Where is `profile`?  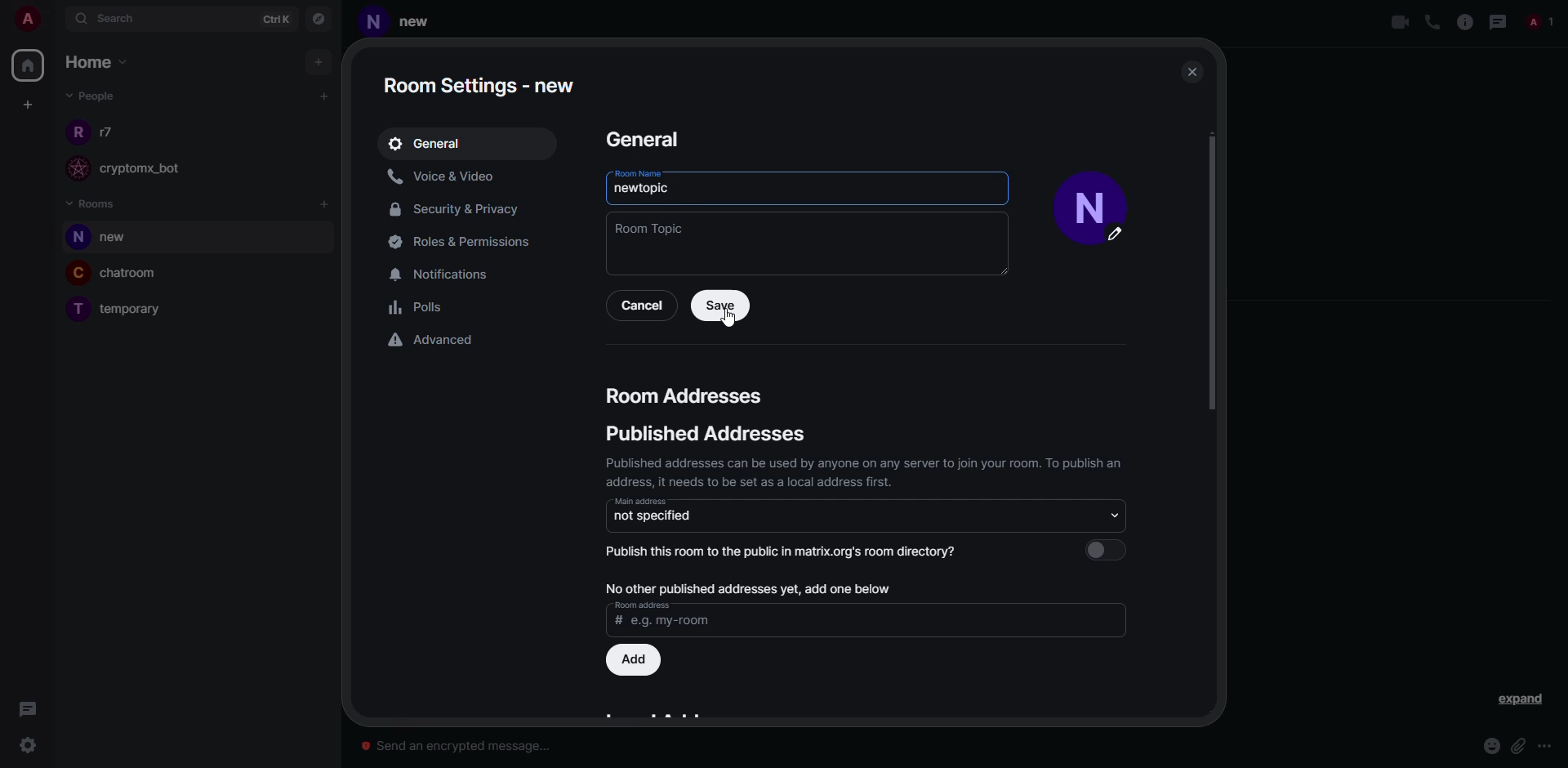
profile is located at coordinates (1085, 192).